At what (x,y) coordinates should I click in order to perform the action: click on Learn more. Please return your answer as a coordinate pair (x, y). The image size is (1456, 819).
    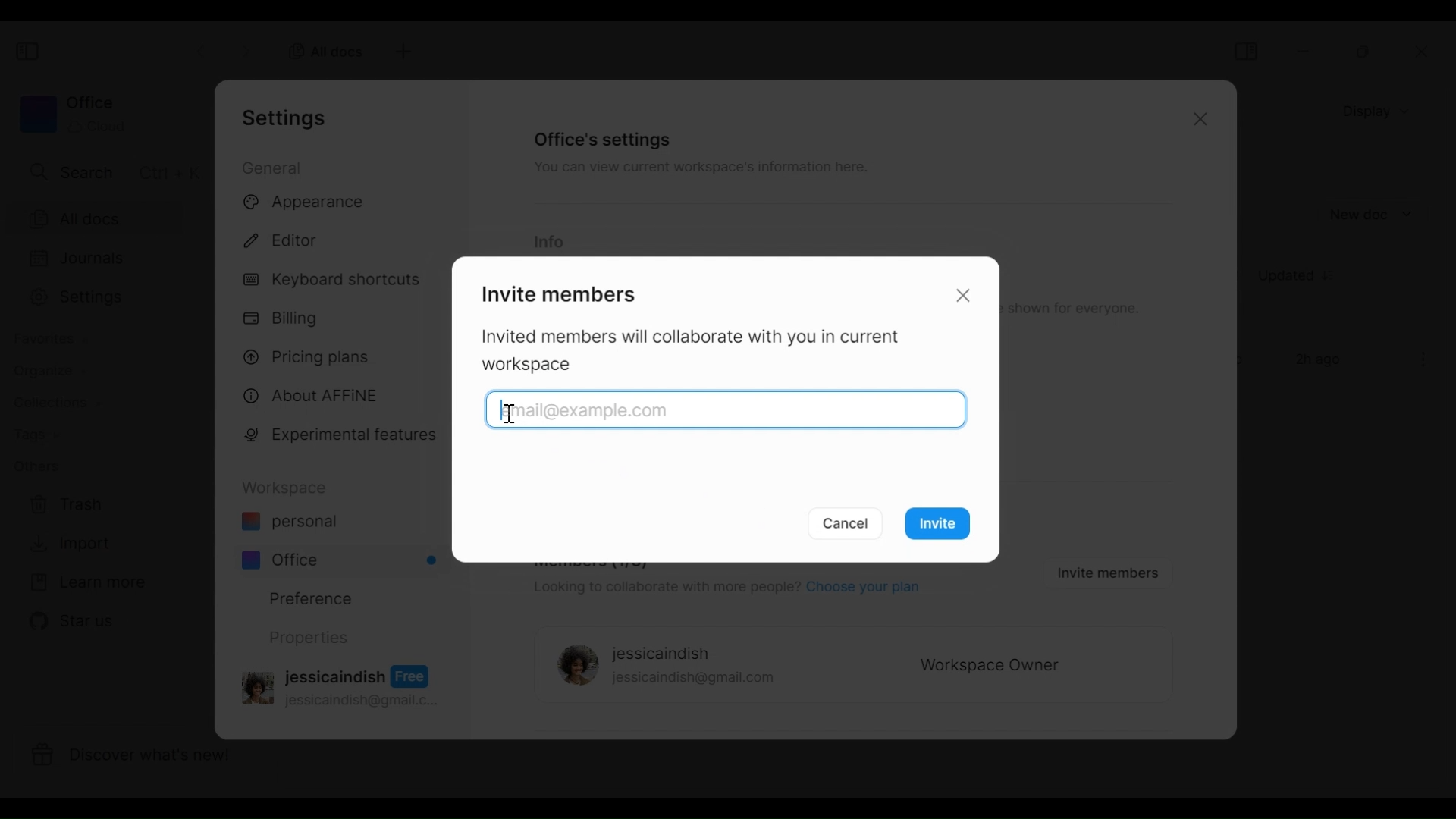
    Looking at the image, I should click on (87, 583).